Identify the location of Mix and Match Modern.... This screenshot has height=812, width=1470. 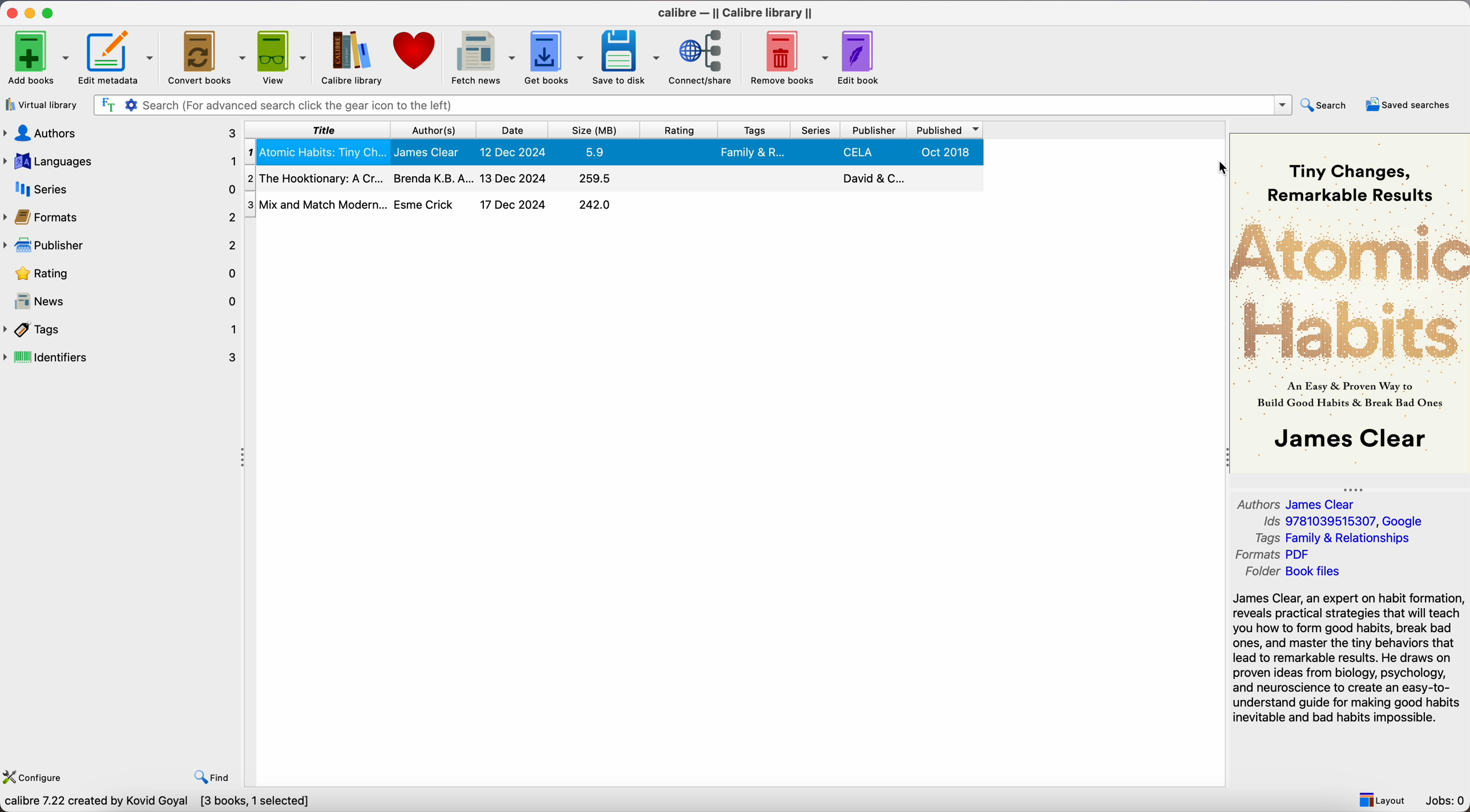
(317, 202).